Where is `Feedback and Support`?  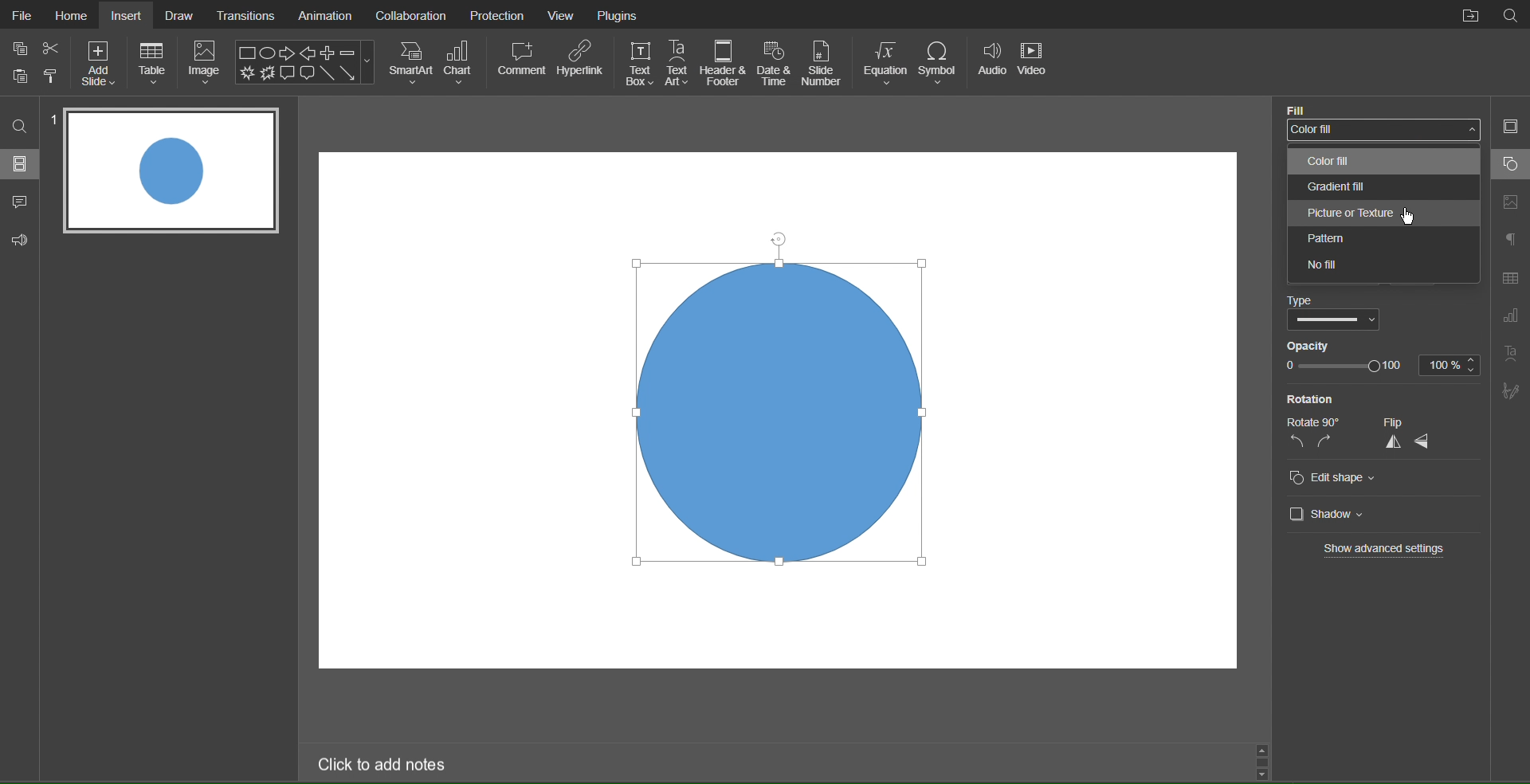
Feedback and Support is located at coordinates (20, 237).